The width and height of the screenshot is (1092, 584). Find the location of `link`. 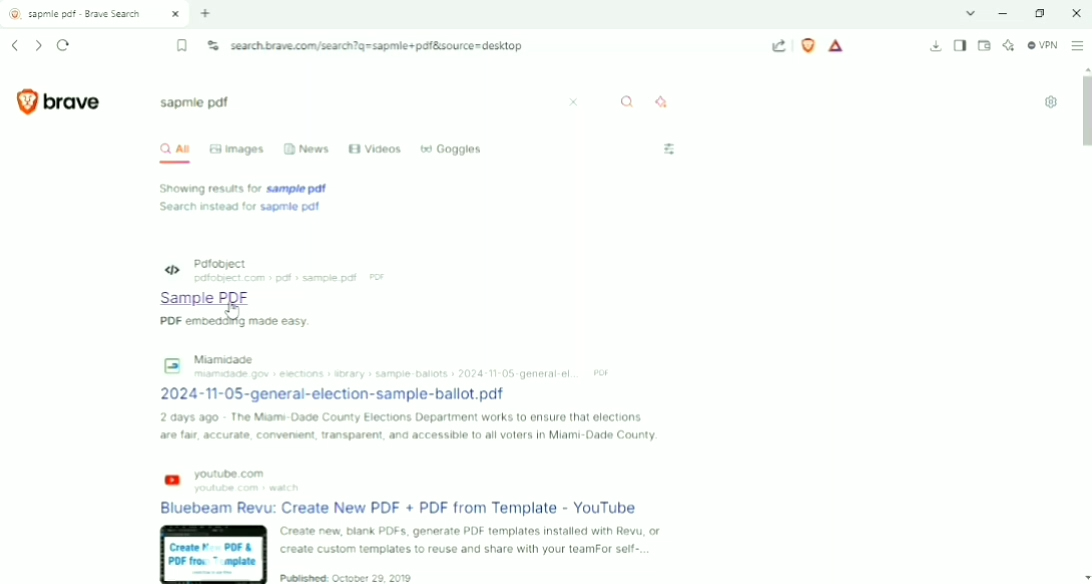

link is located at coordinates (412, 509).